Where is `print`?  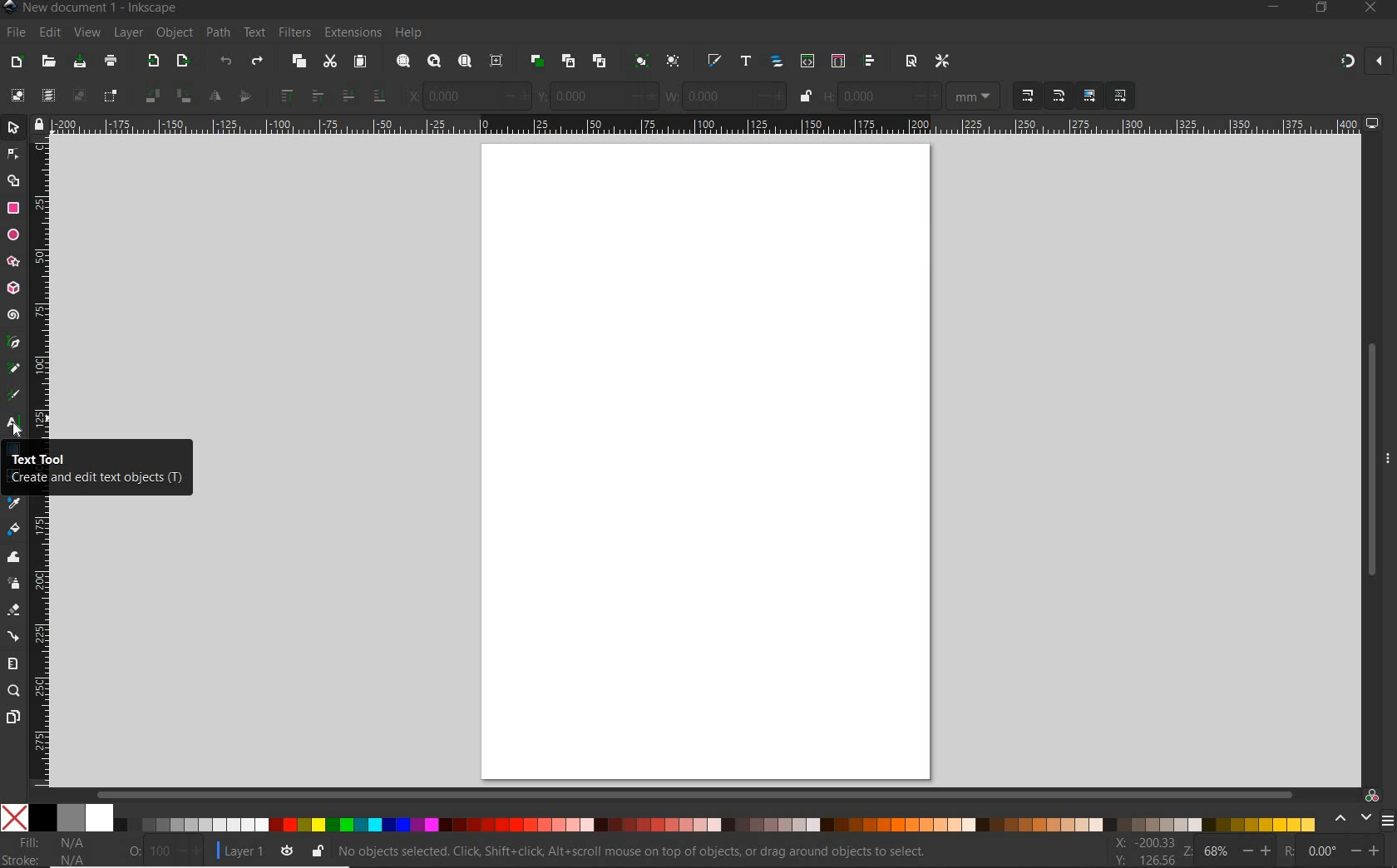 print is located at coordinates (111, 62).